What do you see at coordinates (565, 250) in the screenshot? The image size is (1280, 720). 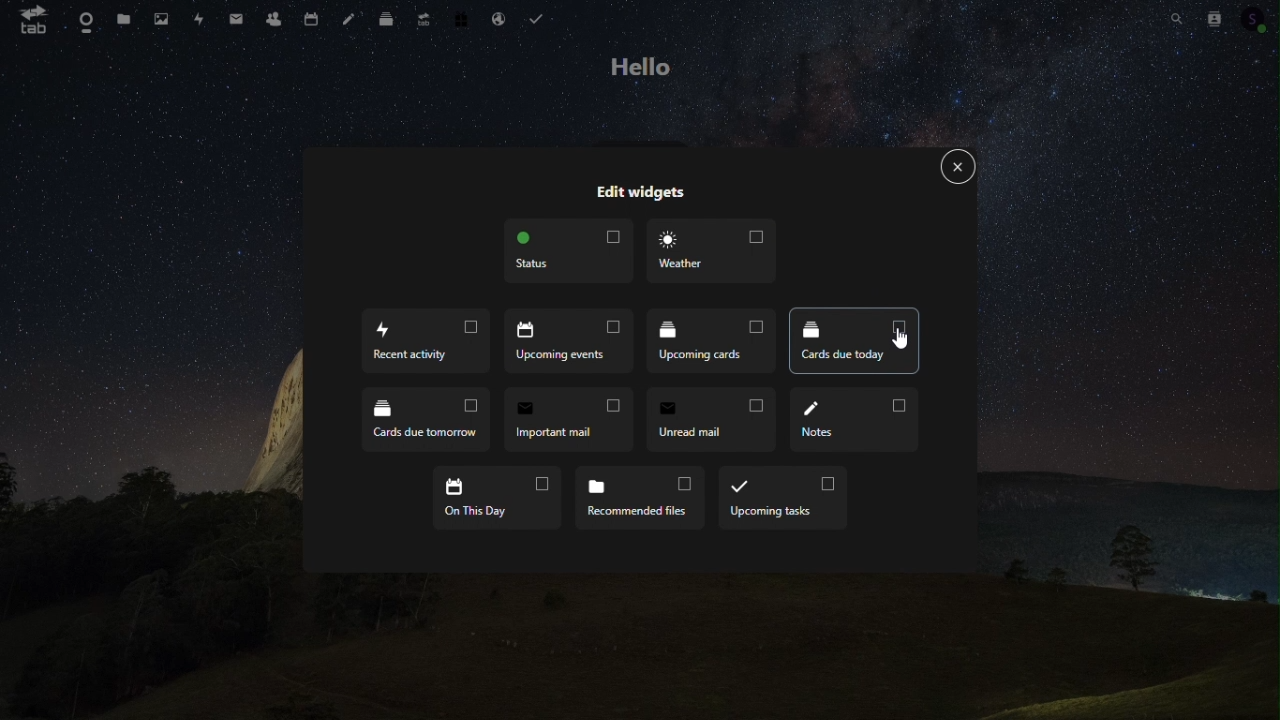 I see `Status` at bounding box center [565, 250].